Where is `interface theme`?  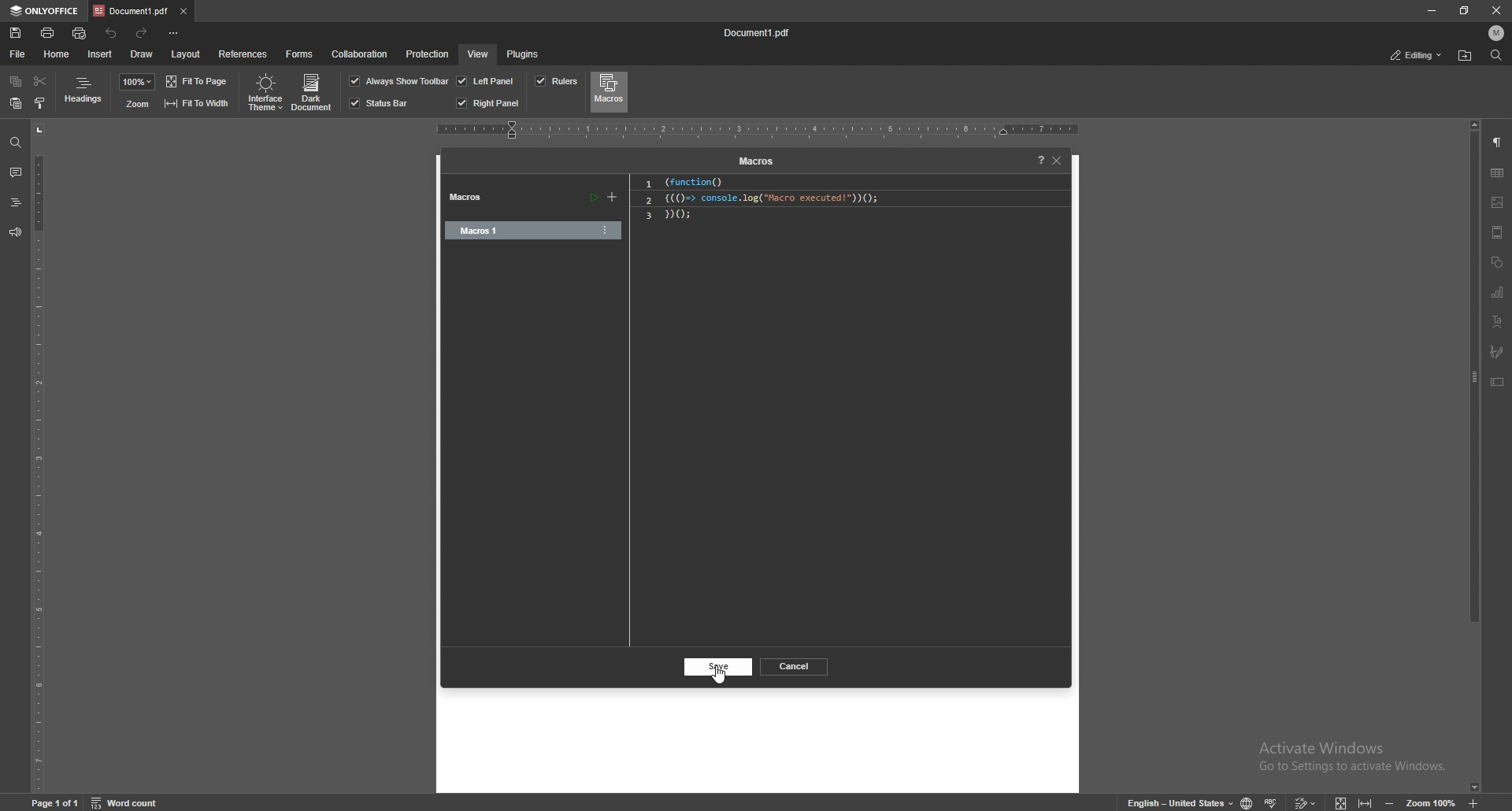 interface theme is located at coordinates (263, 93).